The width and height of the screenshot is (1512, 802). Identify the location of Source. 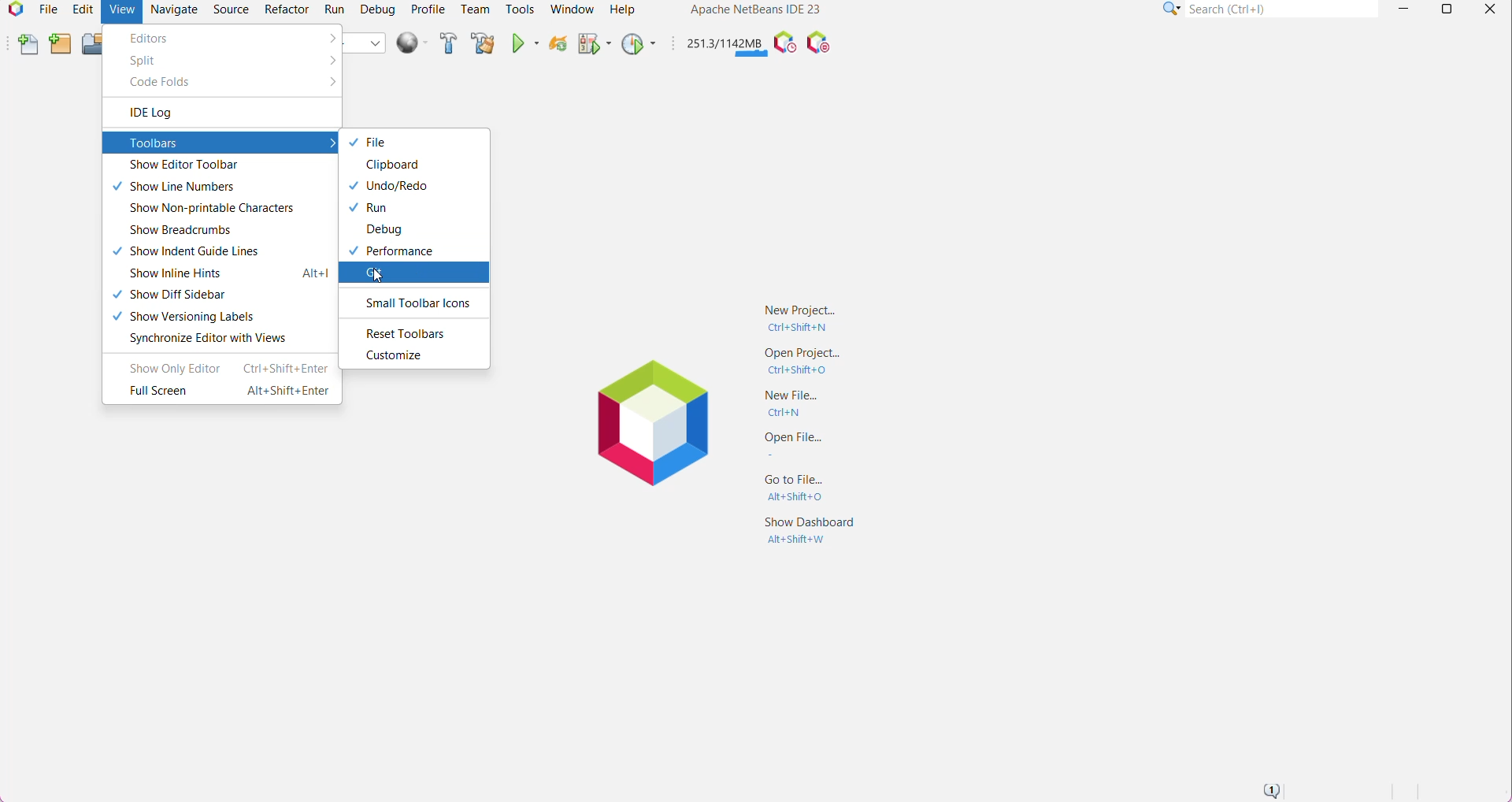
(231, 9).